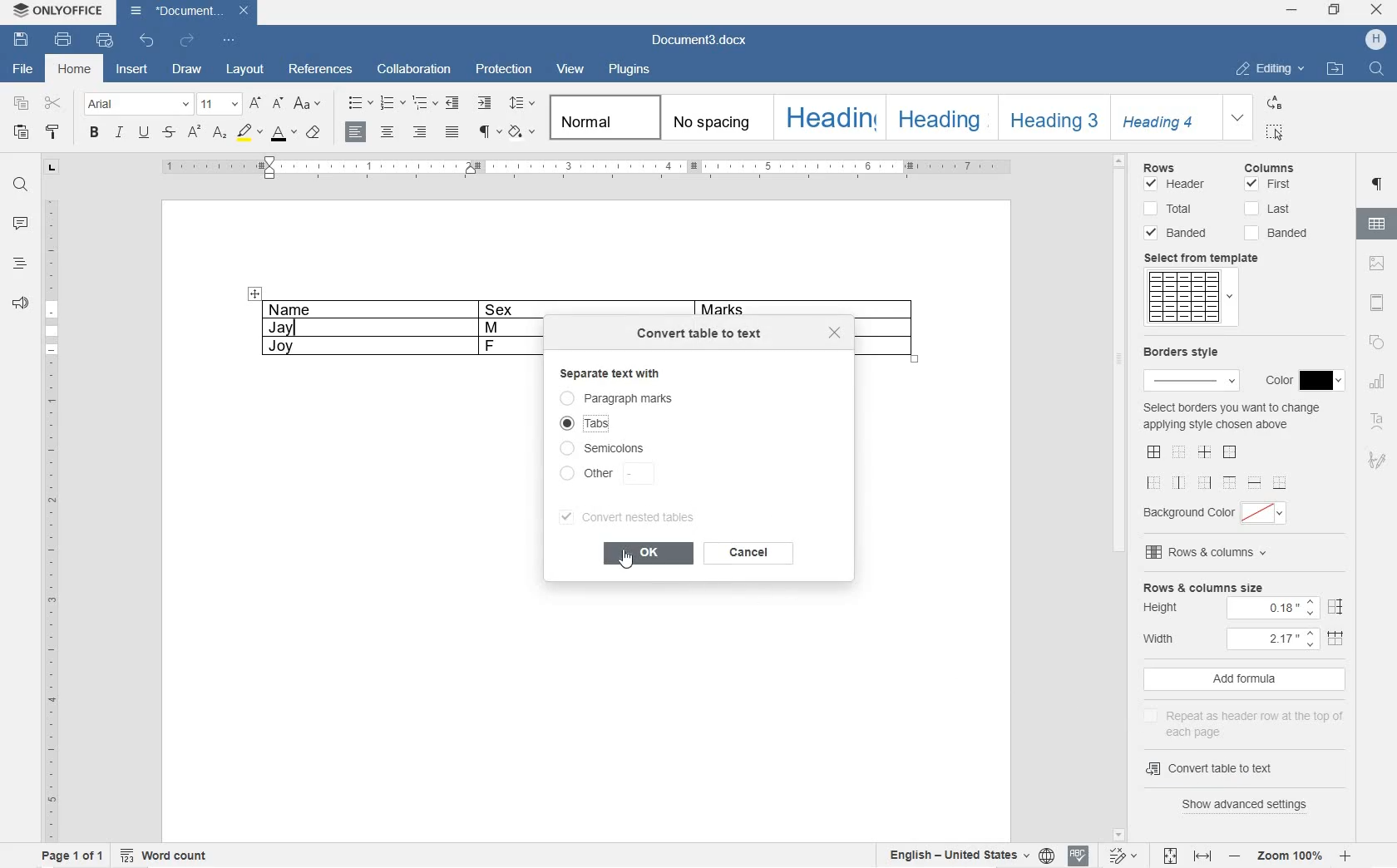 This screenshot has width=1397, height=868. I want to click on border color, so click(1301, 381).